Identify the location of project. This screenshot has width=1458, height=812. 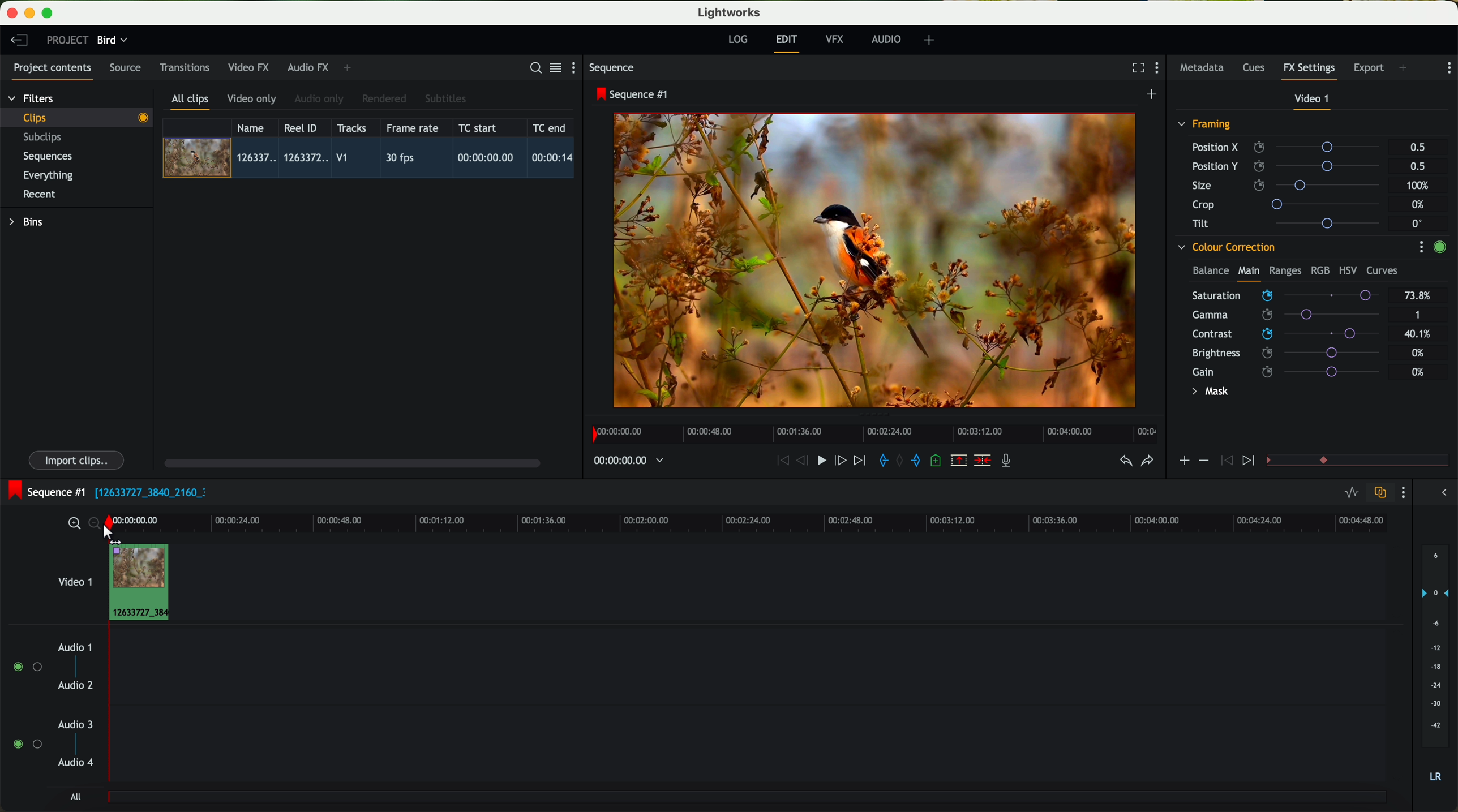
(67, 40).